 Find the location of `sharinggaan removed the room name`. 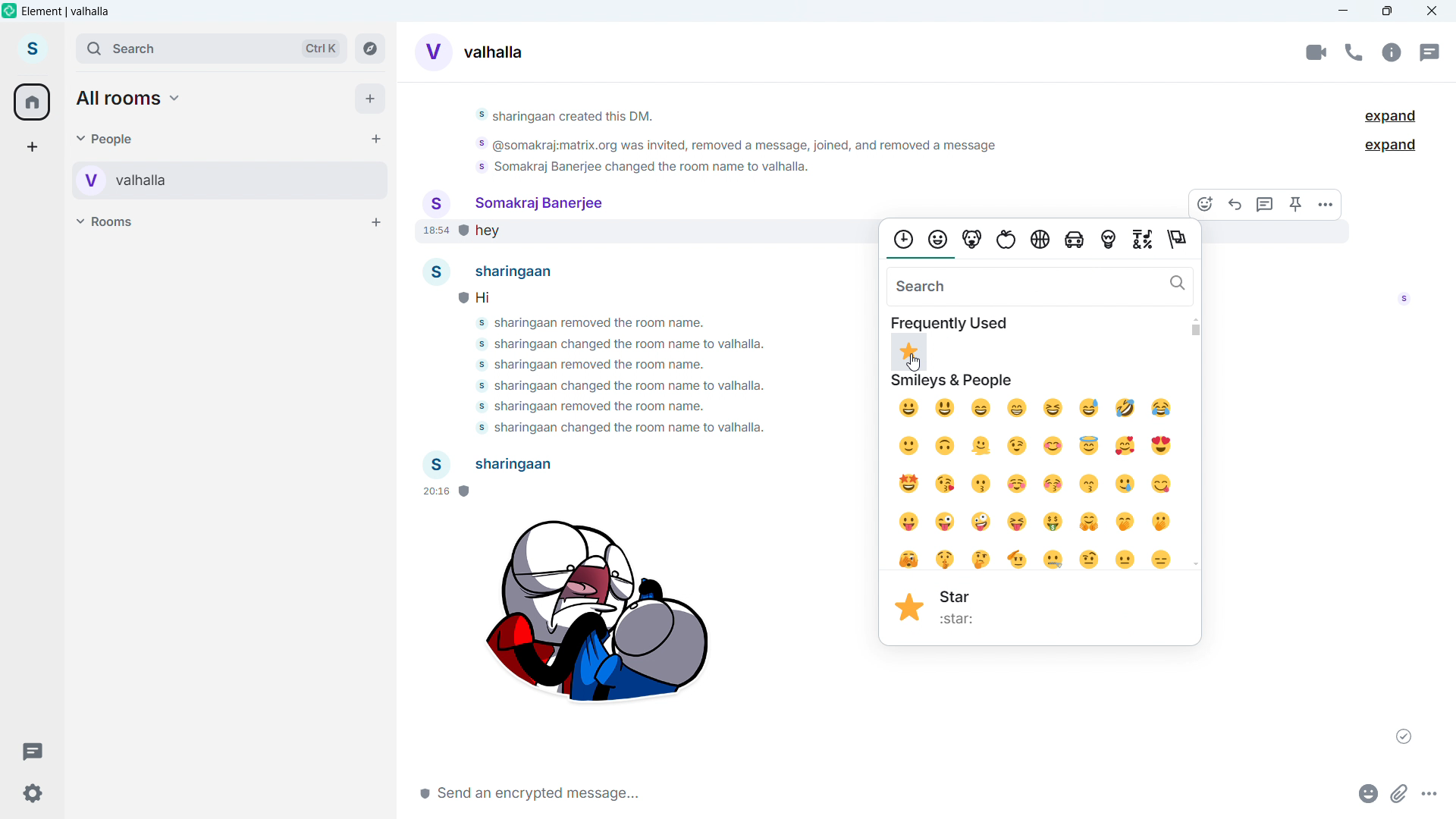

sharinggaan removed the room name is located at coordinates (595, 363).